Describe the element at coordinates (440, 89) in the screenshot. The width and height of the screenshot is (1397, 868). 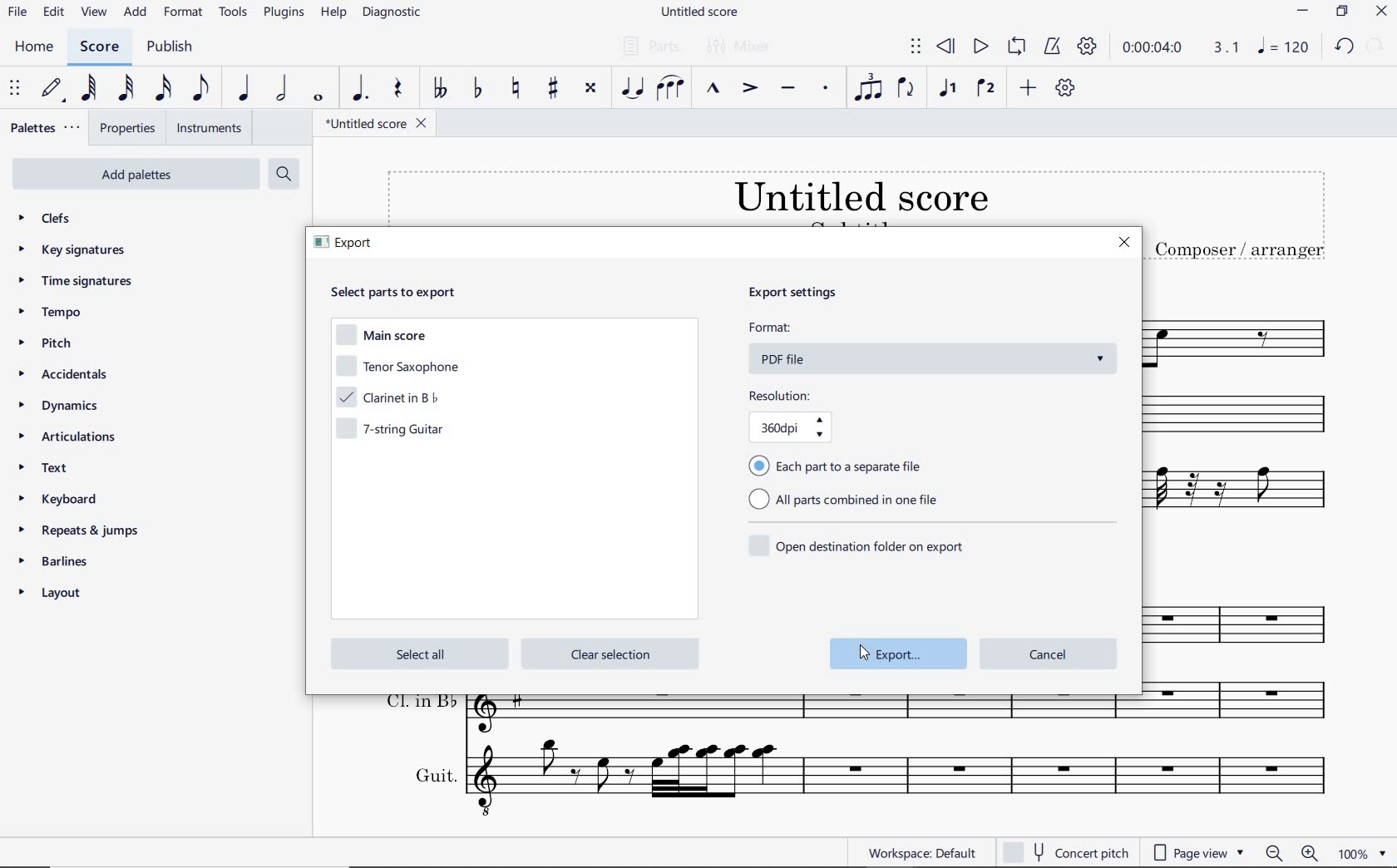
I see `TOGGLE DOUBLE-FLAT` at that location.